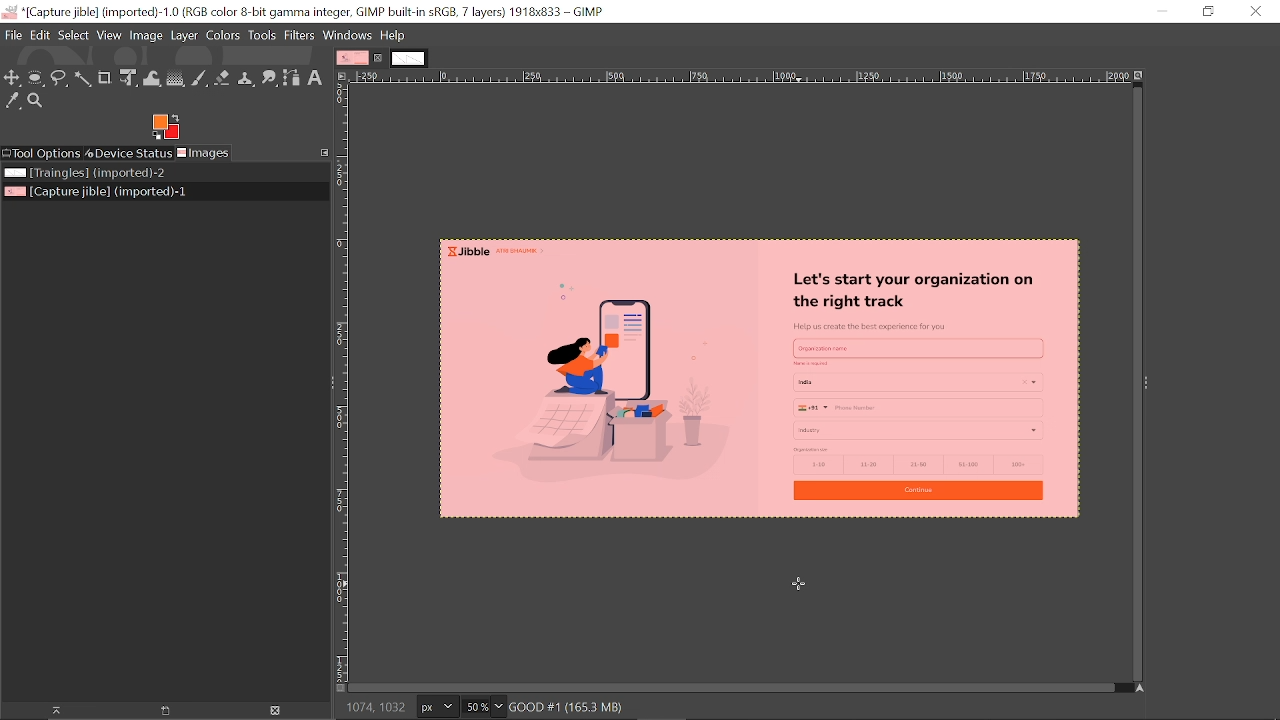  What do you see at coordinates (742, 77) in the screenshot?
I see `Horizontal label` at bounding box center [742, 77].